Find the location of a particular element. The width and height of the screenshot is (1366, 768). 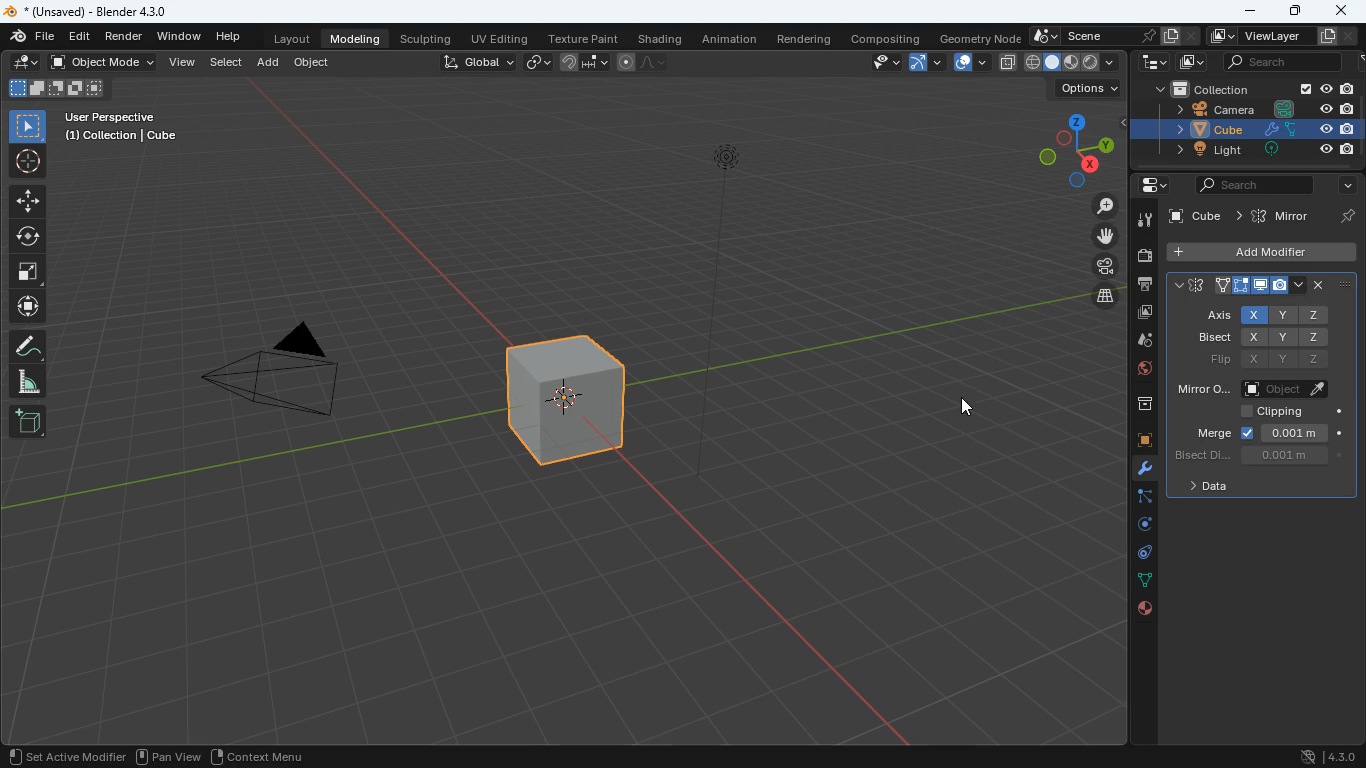

data is located at coordinates (1211, 488).